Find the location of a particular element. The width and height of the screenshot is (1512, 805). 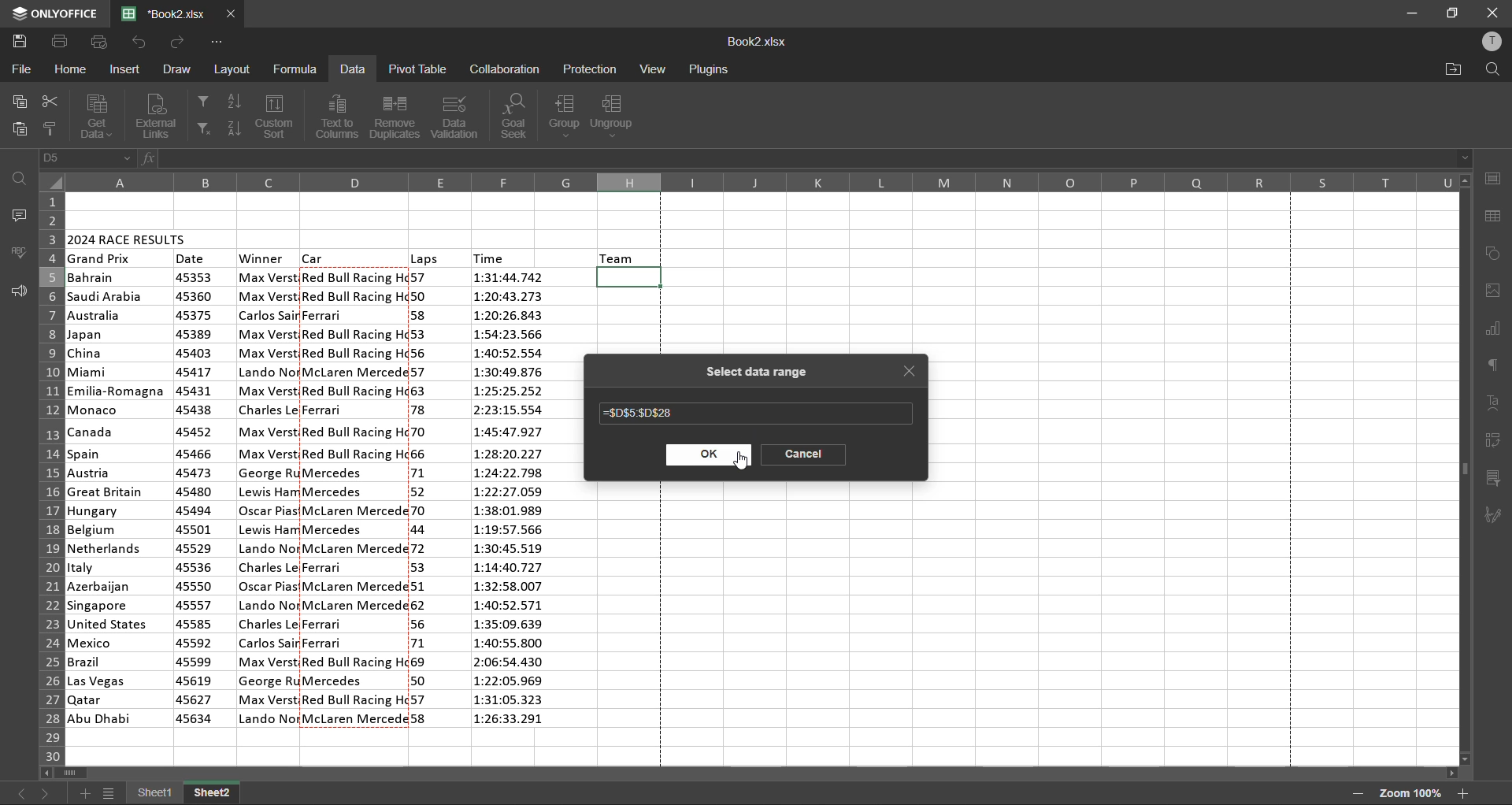

quick print is located at coordinates (98, 42).